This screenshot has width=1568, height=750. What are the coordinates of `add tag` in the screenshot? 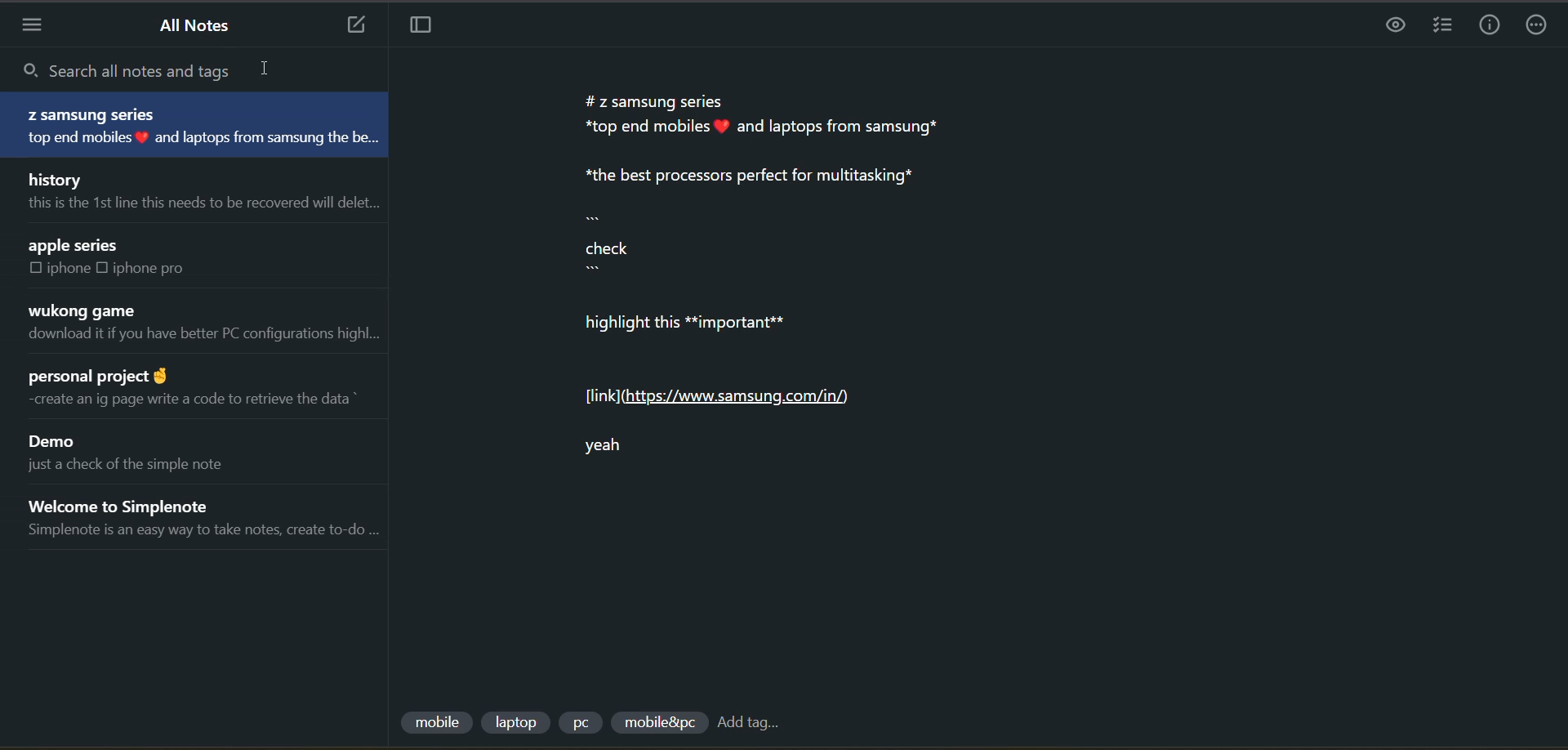 It's located at (759, 721).